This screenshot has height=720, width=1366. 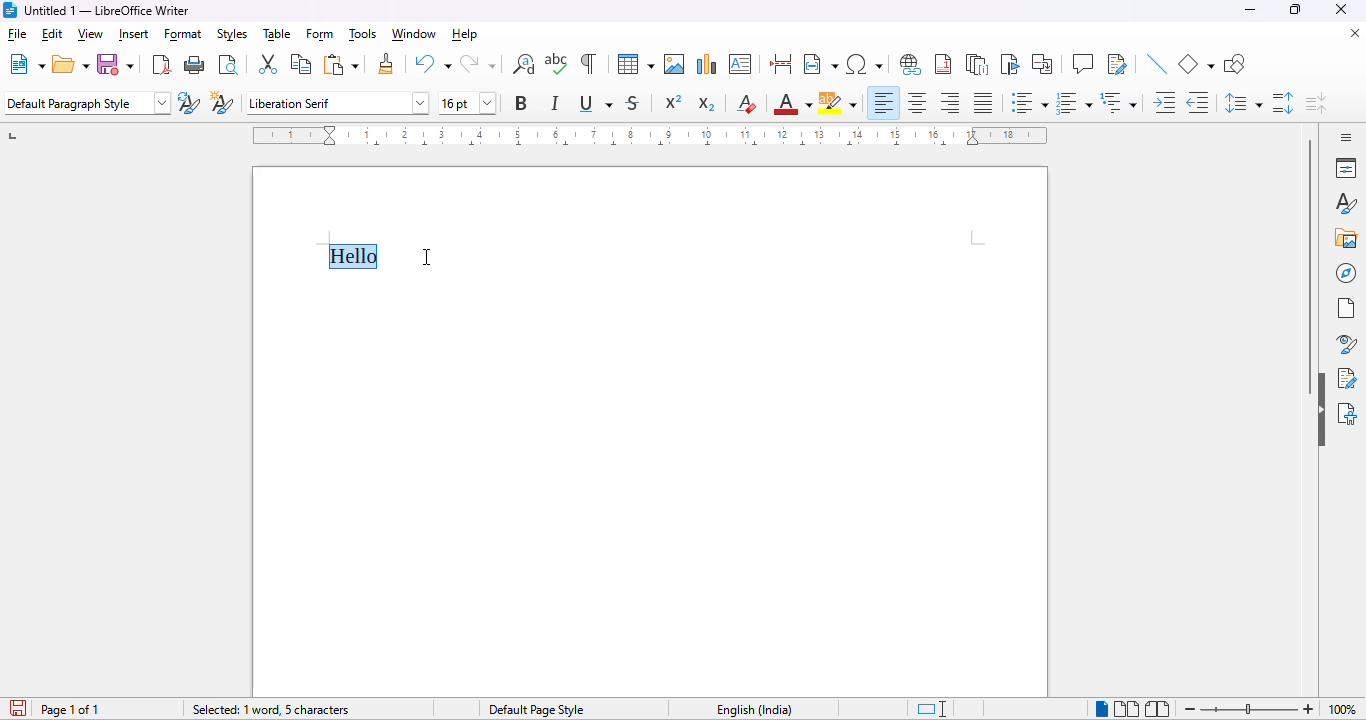 What do you see at coordinates (650, 136) in the screenshot?
I see `ruler` at bounding box center [650, 136].